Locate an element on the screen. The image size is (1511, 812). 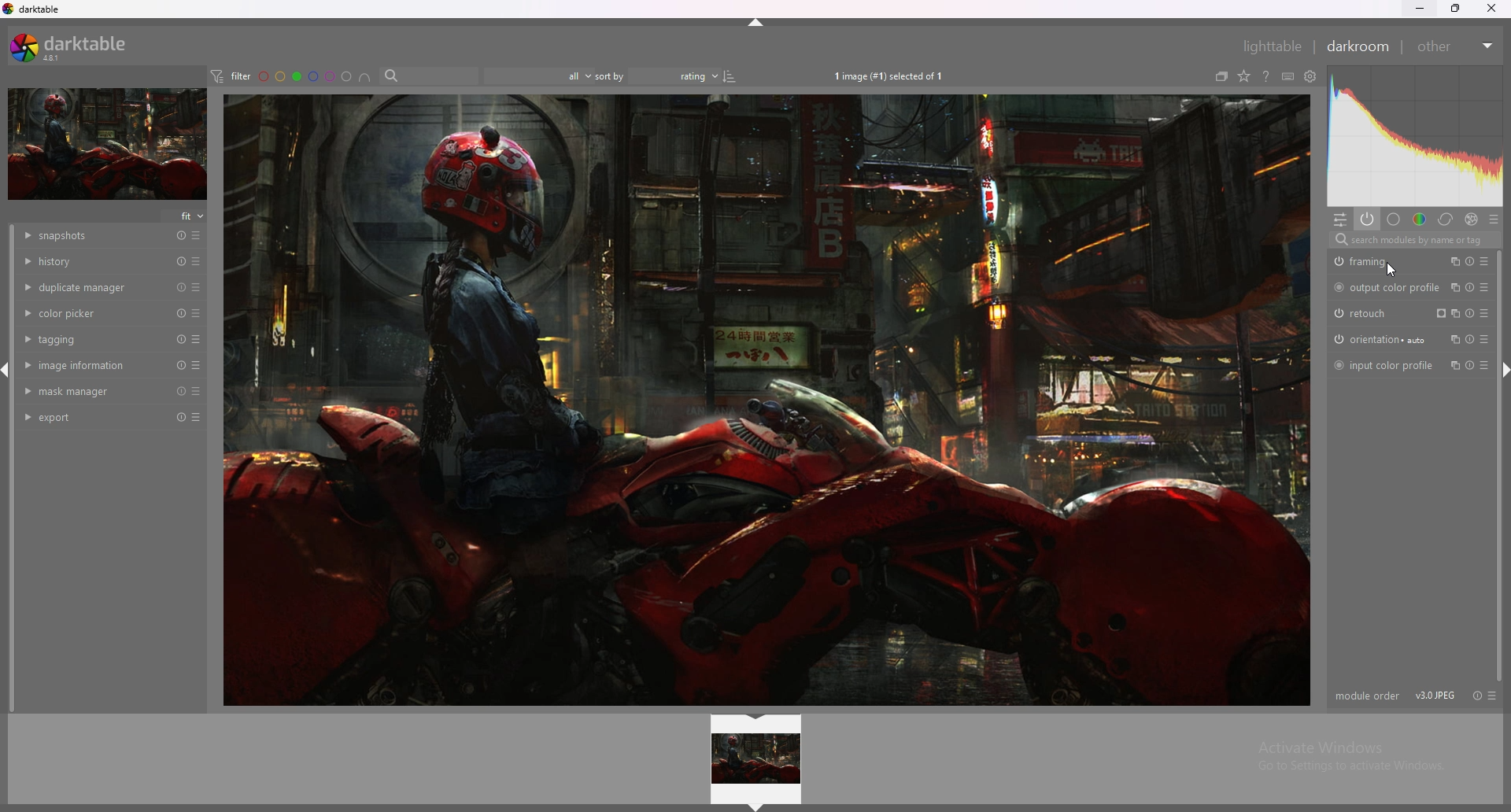
multiple instances action is located at coordinates (1455, 339).